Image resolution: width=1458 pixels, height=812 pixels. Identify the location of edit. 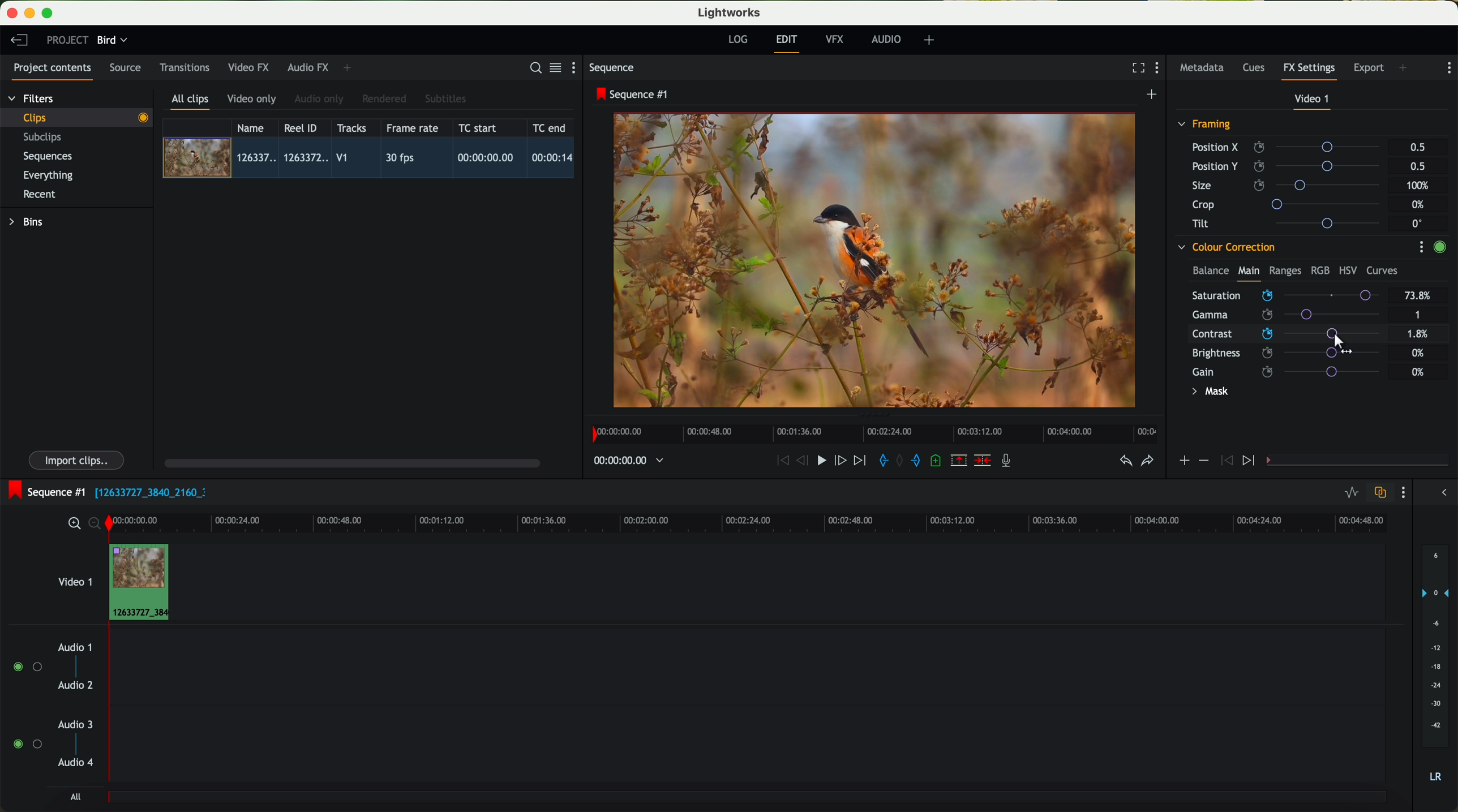
(788, 42).